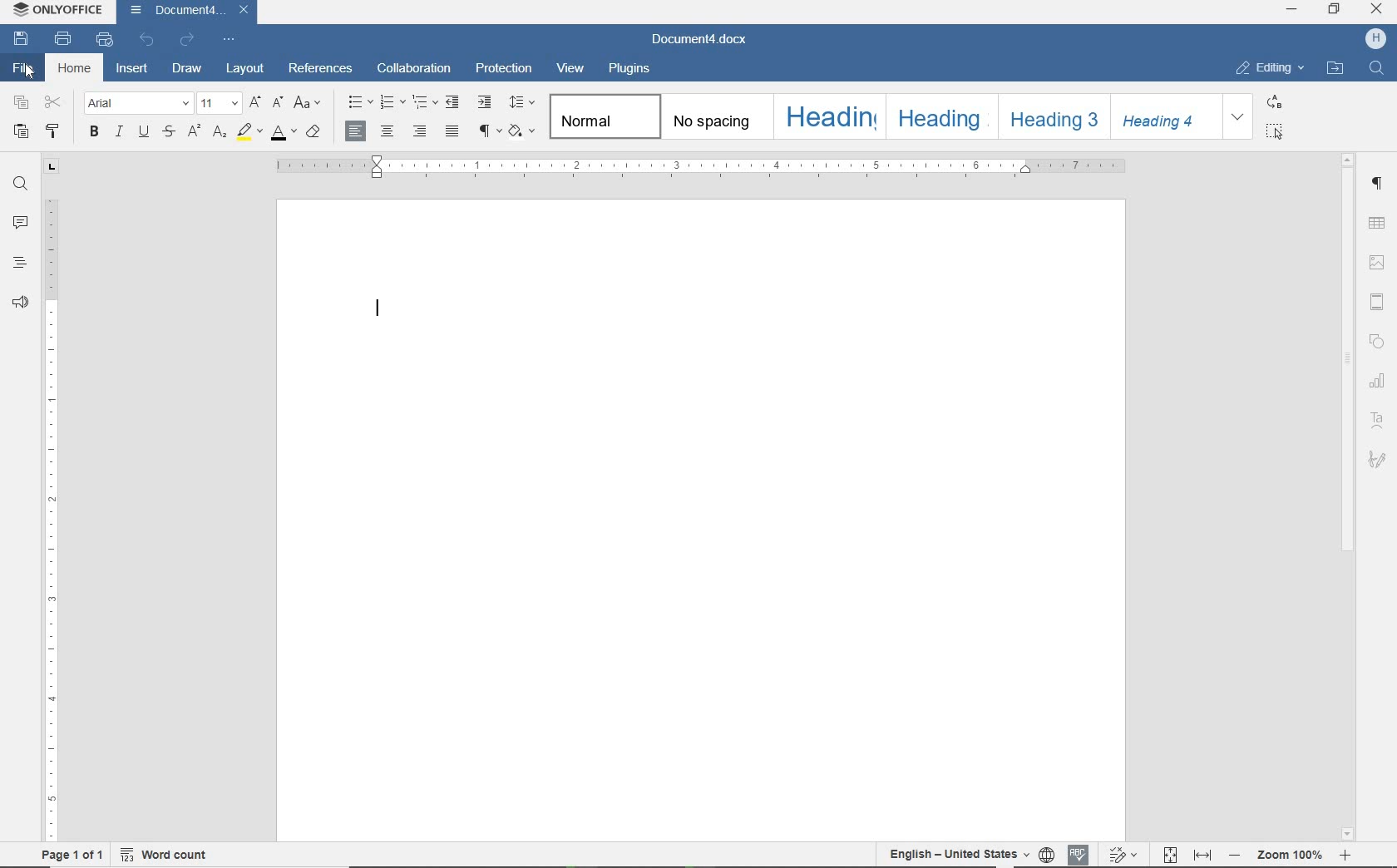  Describe the element at coordinates (102, 40) in the screenshot. I see `quick print` at that location.